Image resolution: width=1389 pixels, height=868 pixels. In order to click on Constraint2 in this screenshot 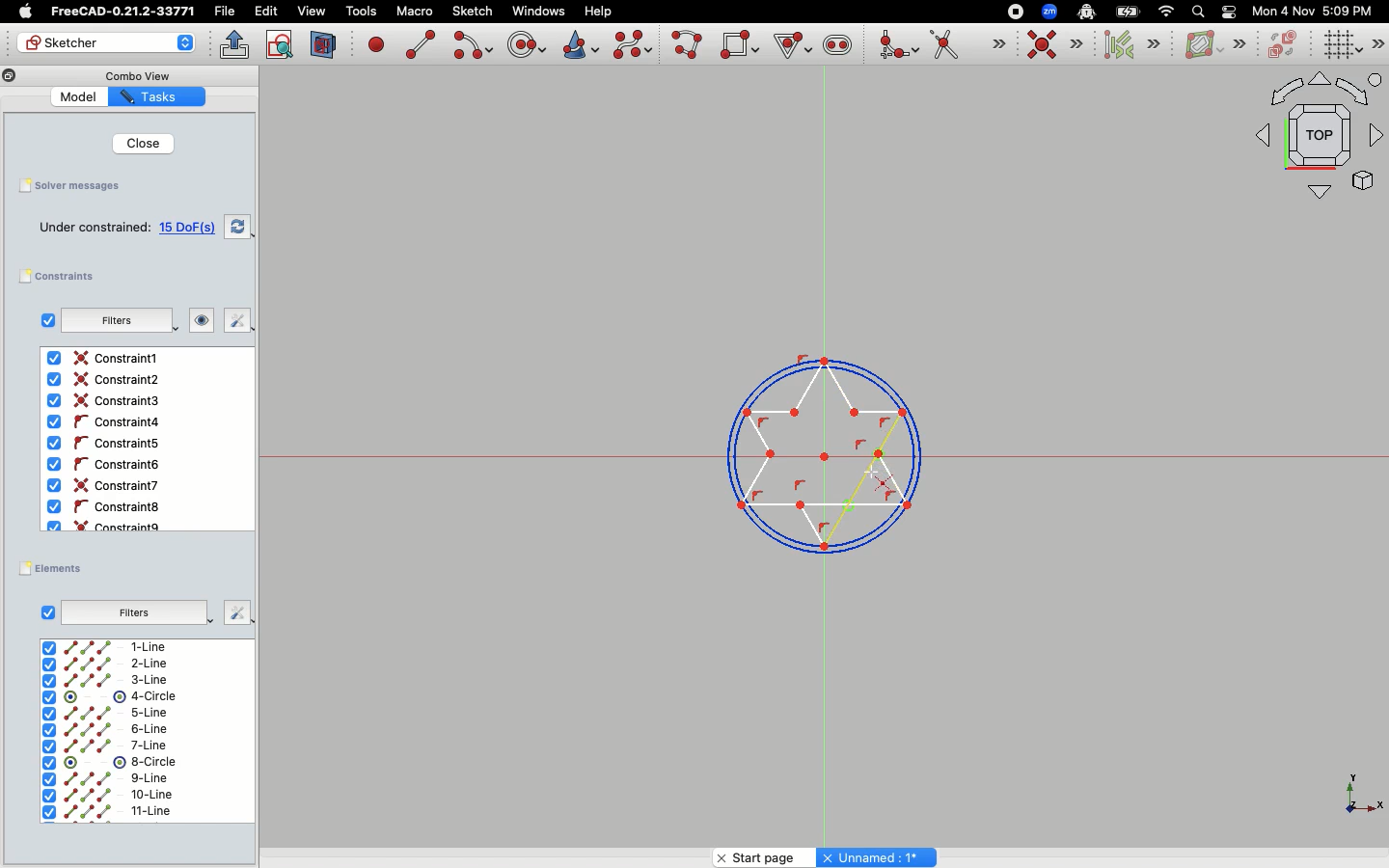, I will do `click(108, 380)`.